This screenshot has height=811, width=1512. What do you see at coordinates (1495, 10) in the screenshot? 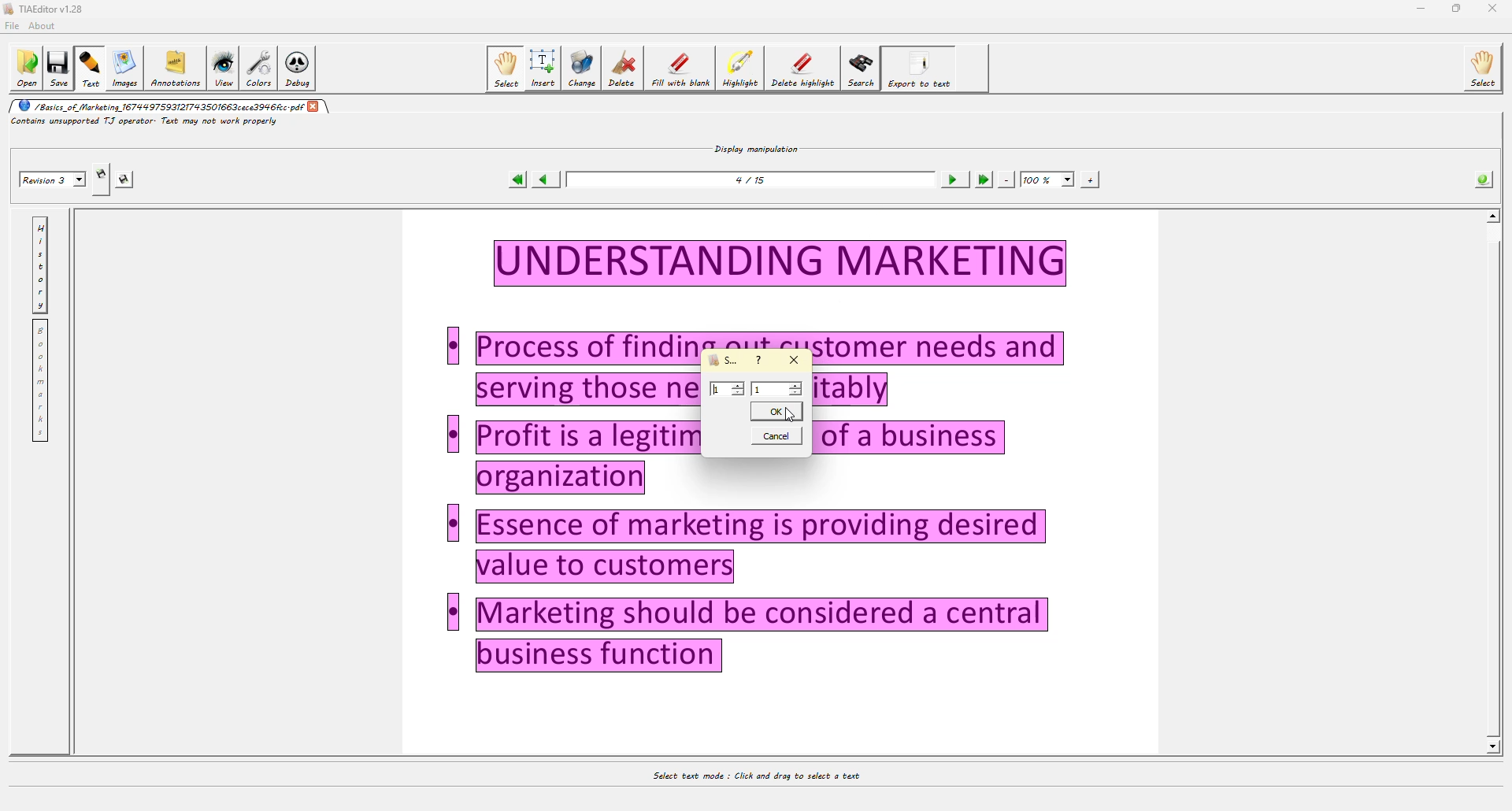
I see `close` at bounding box center [1495, 10].